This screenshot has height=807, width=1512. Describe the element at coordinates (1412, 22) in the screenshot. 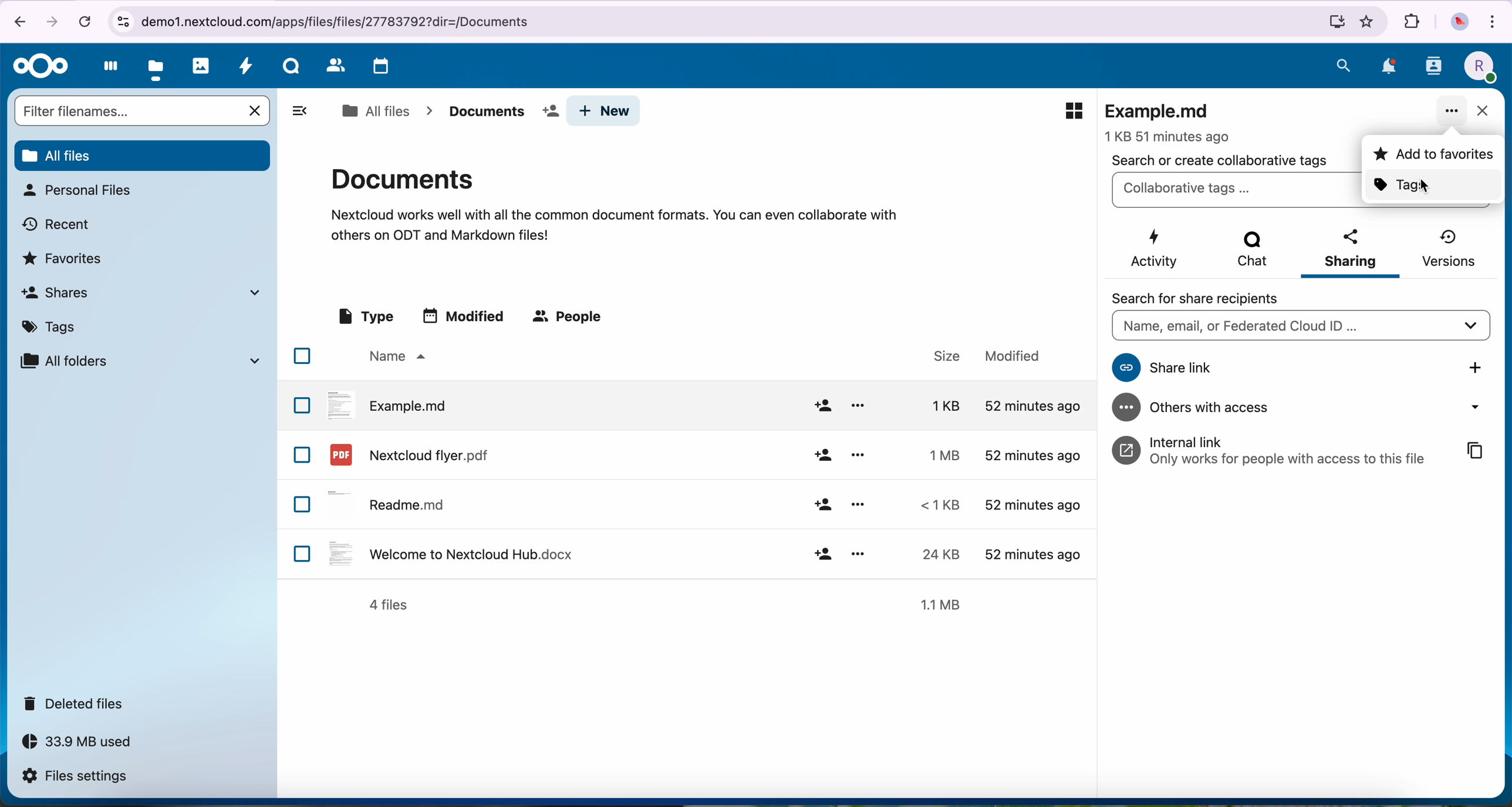

I see `extensions` at that location.